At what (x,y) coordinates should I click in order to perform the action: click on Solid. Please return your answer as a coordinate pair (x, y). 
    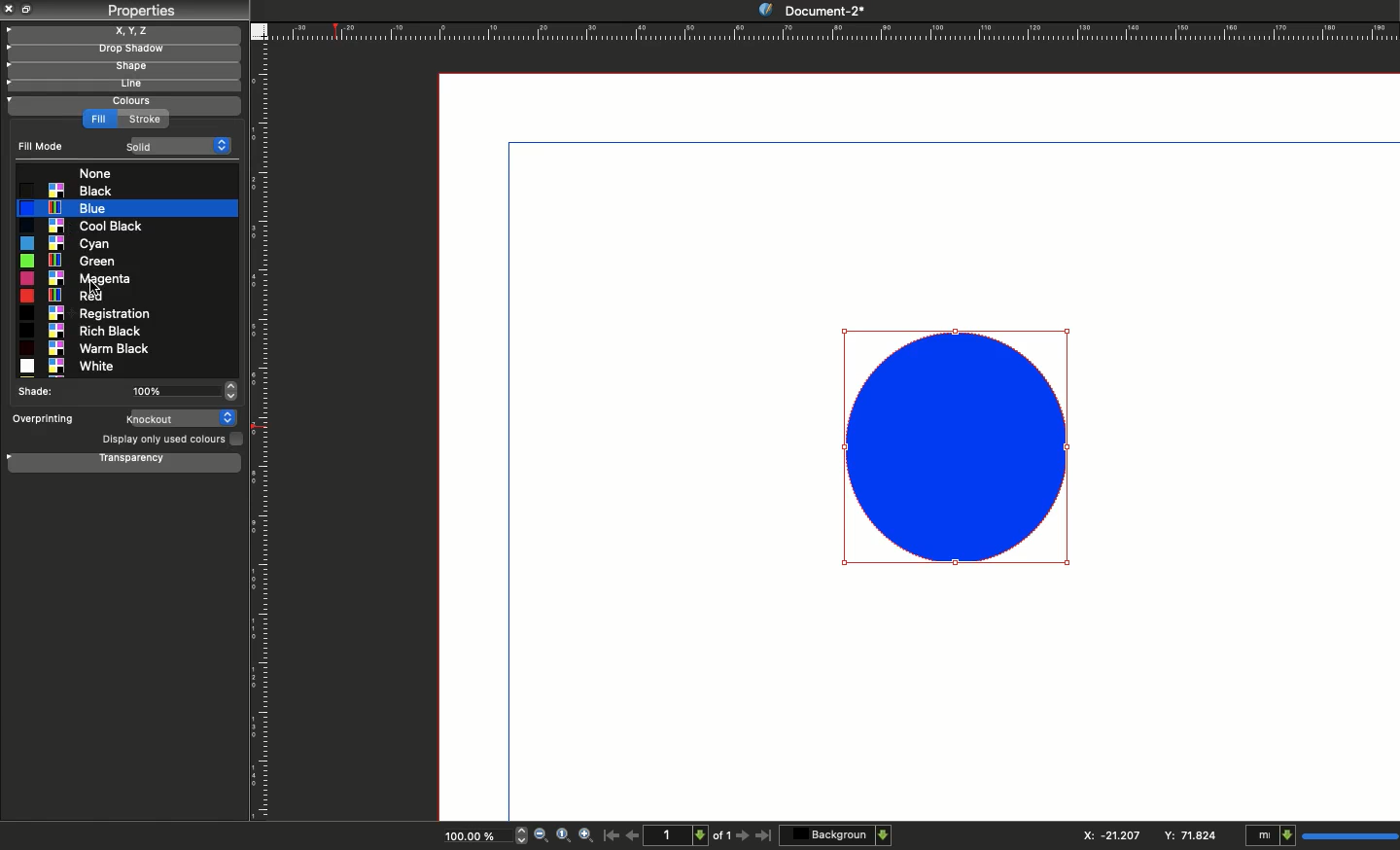
    Looking at the image, I should click on (177, 145).